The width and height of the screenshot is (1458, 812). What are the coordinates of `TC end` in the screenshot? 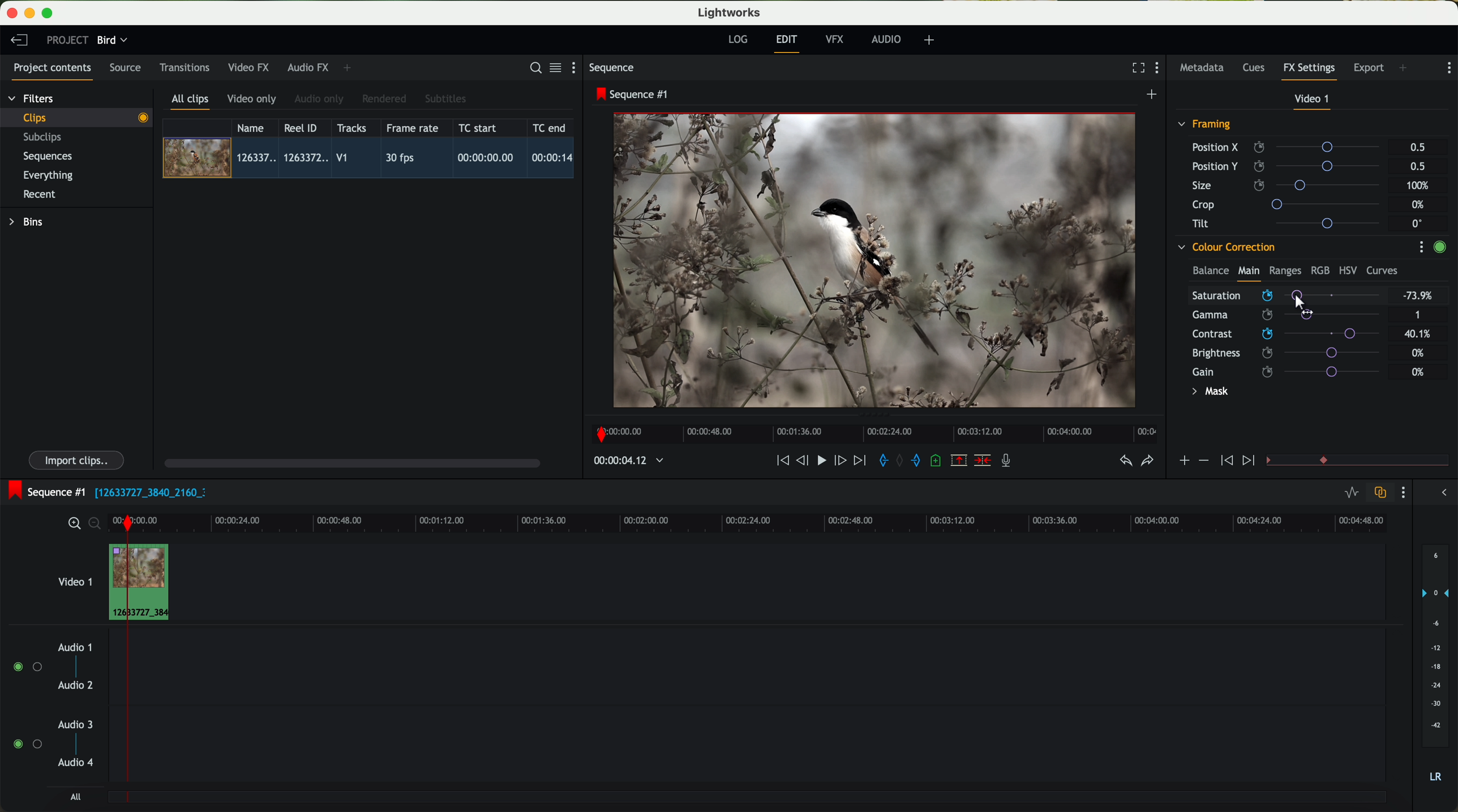 It's located at (550, 127).